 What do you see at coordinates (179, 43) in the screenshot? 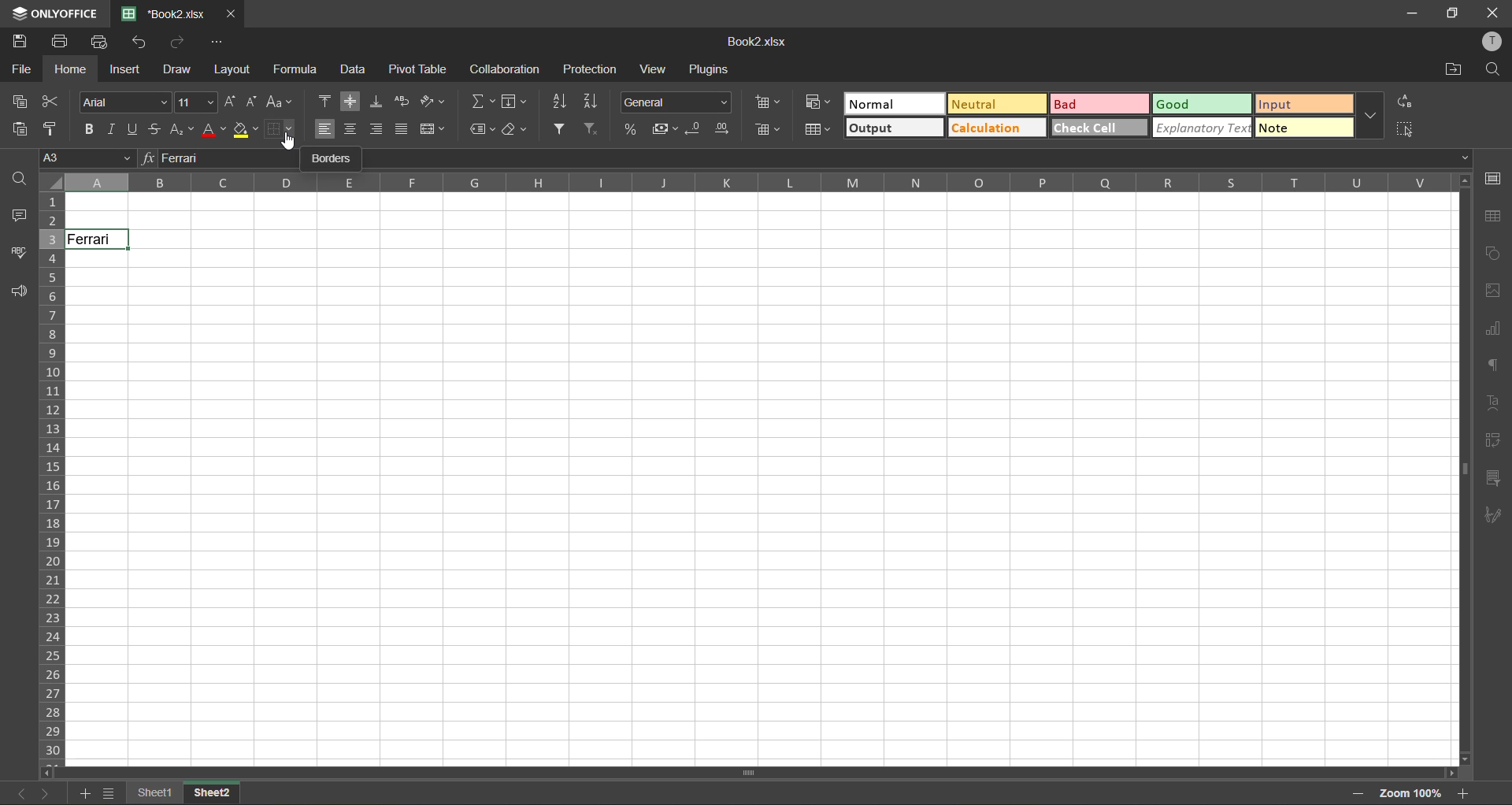
I see `redo` at bounding box center [179, 43].